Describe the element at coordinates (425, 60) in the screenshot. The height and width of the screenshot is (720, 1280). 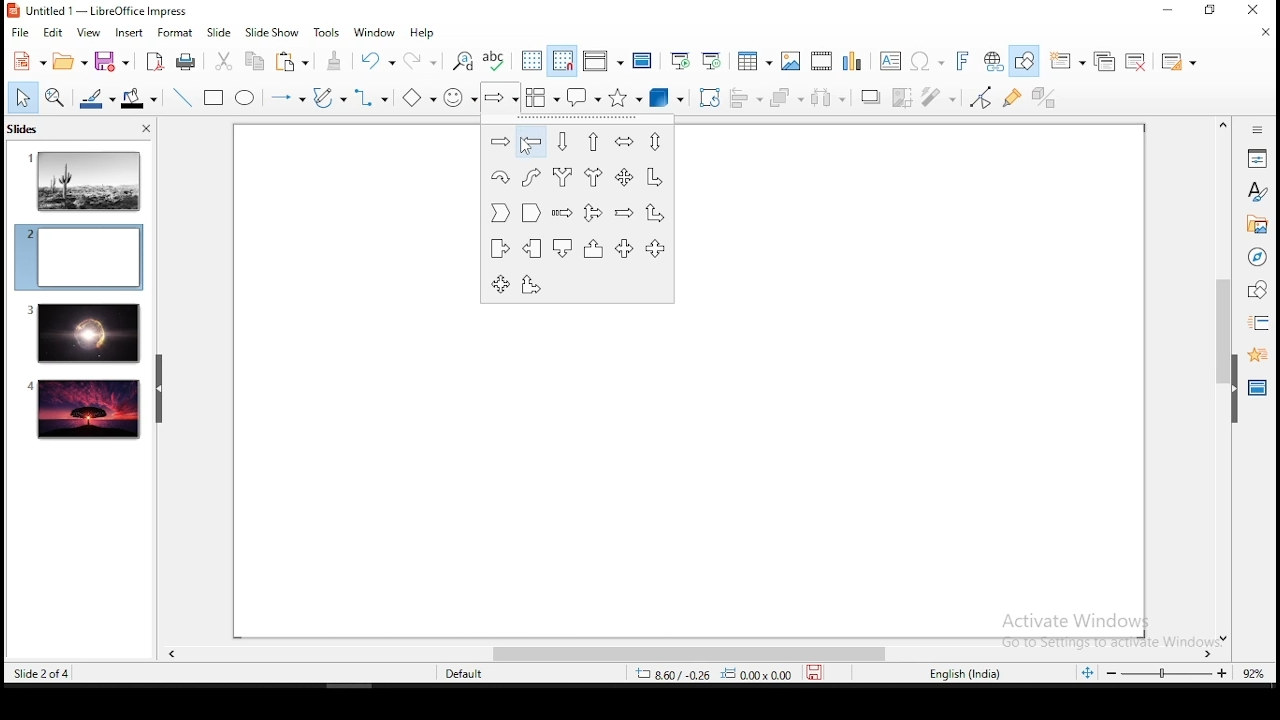
I see `redo` at that location.